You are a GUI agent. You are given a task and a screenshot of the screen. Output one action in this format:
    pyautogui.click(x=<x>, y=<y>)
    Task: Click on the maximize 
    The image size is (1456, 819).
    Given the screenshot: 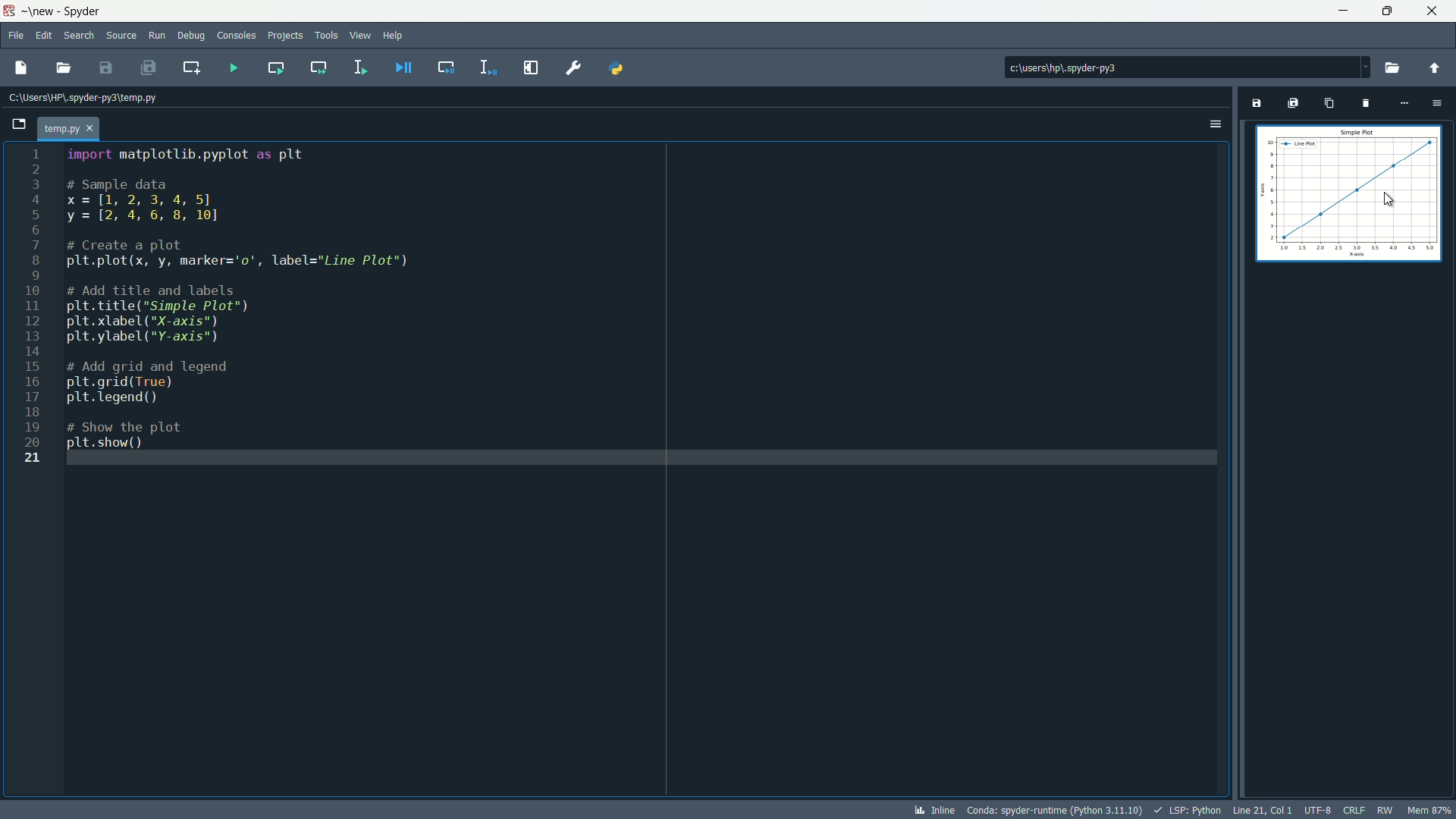 What is the action you would take?
    pyautogui.click(x=1382, y=11)
    